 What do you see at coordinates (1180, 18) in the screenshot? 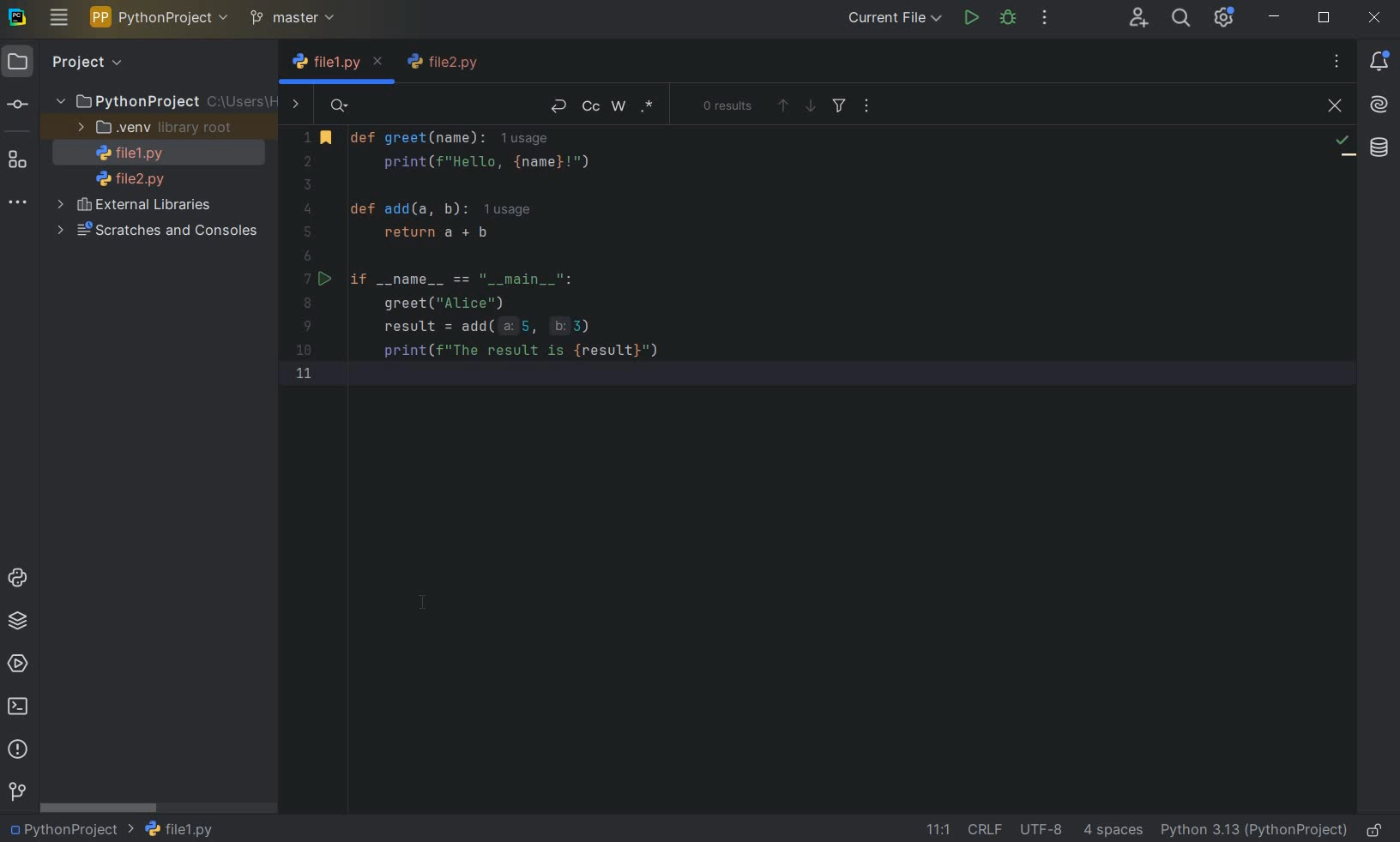
I see `SEARCH EVERYWHERE` at bounding box center [1180, 18].